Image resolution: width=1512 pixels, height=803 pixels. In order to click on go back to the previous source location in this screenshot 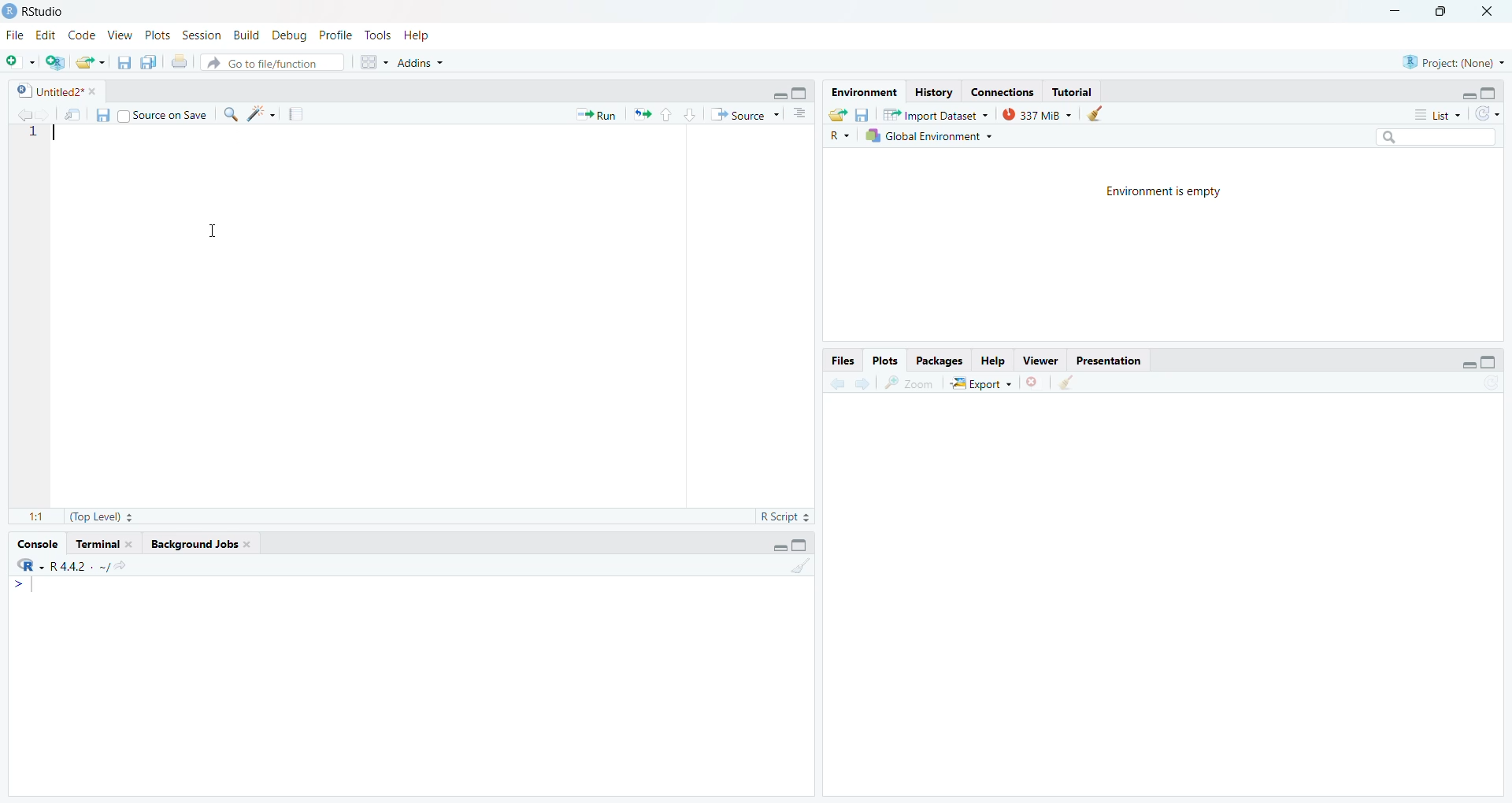, I will do `click(25, 113)`.